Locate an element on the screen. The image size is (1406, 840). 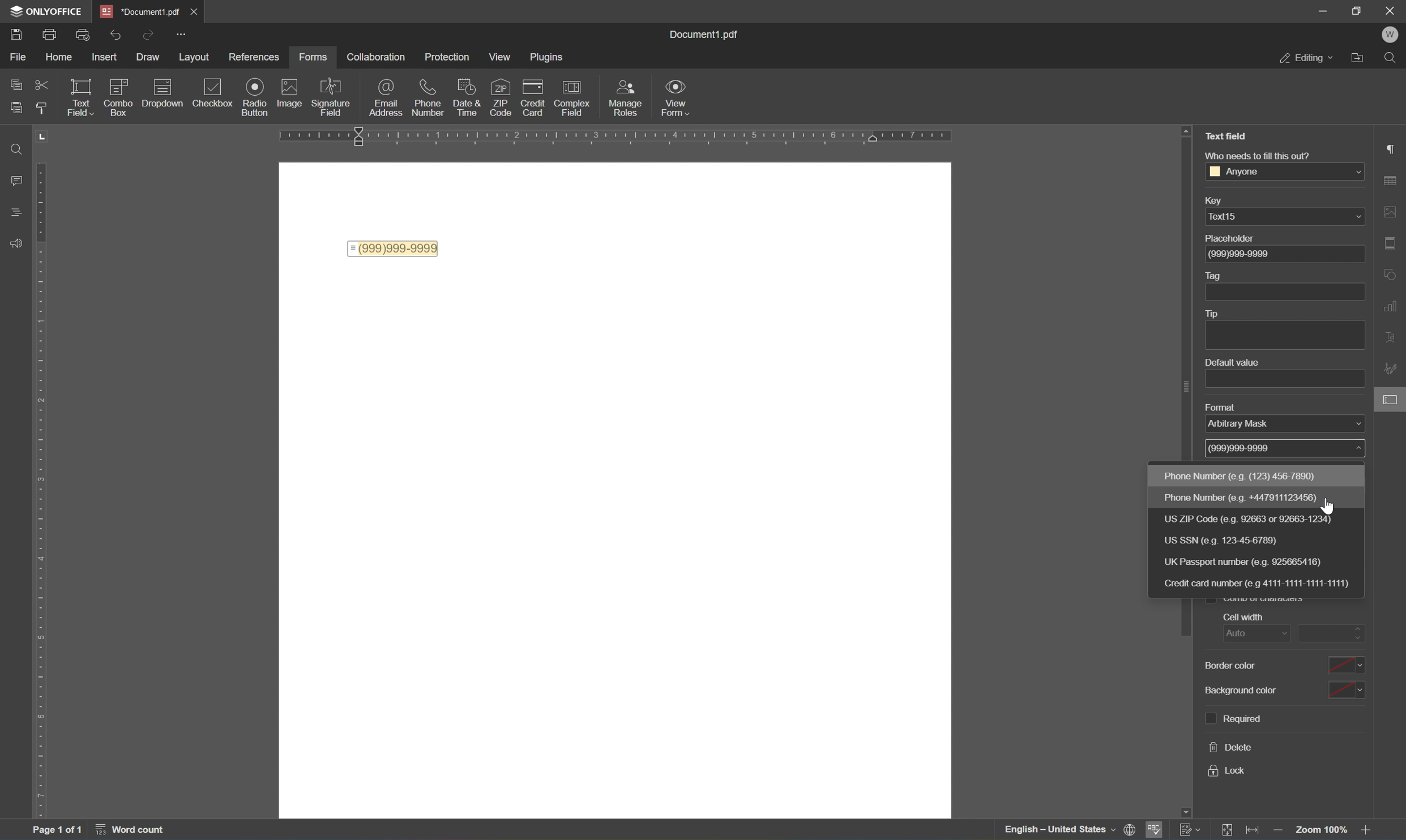
copy style is located at coordinates (43, 106).